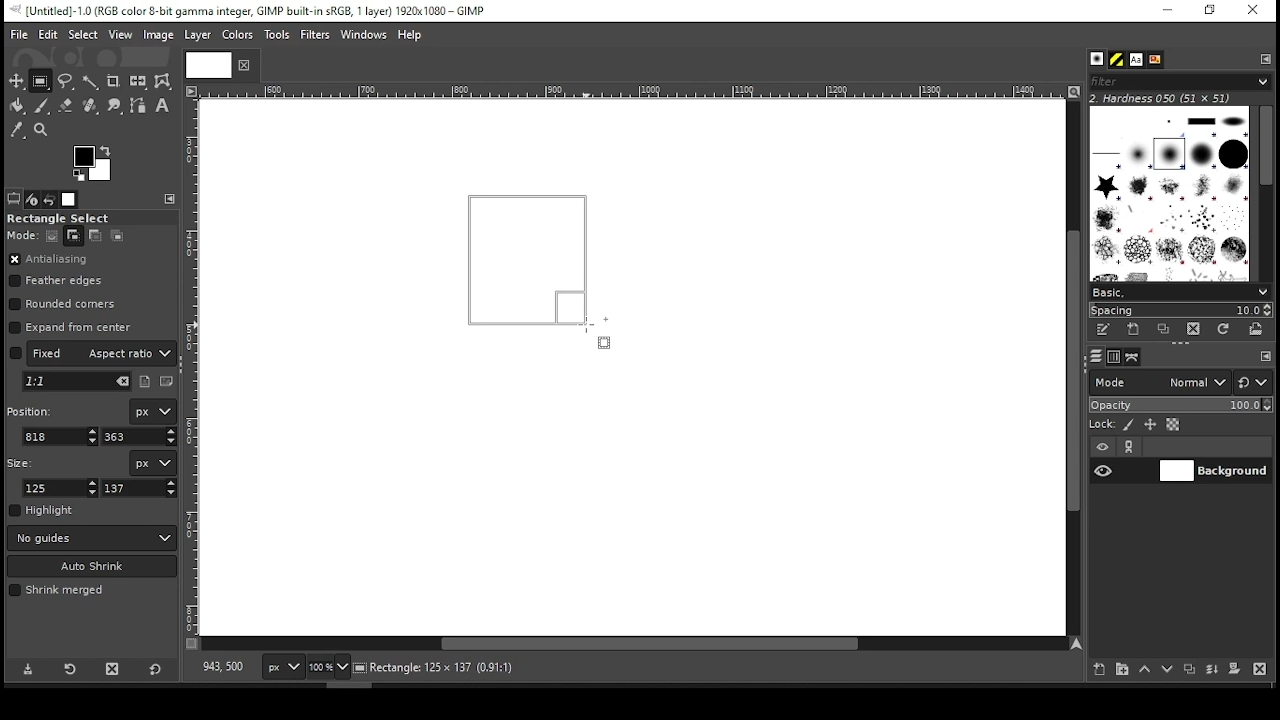 The width and height of the screenshot is (1280, 720). What do you see at coordinates (242, 65) in the screenshot?
I see `close` at bounding box center [242, 65].